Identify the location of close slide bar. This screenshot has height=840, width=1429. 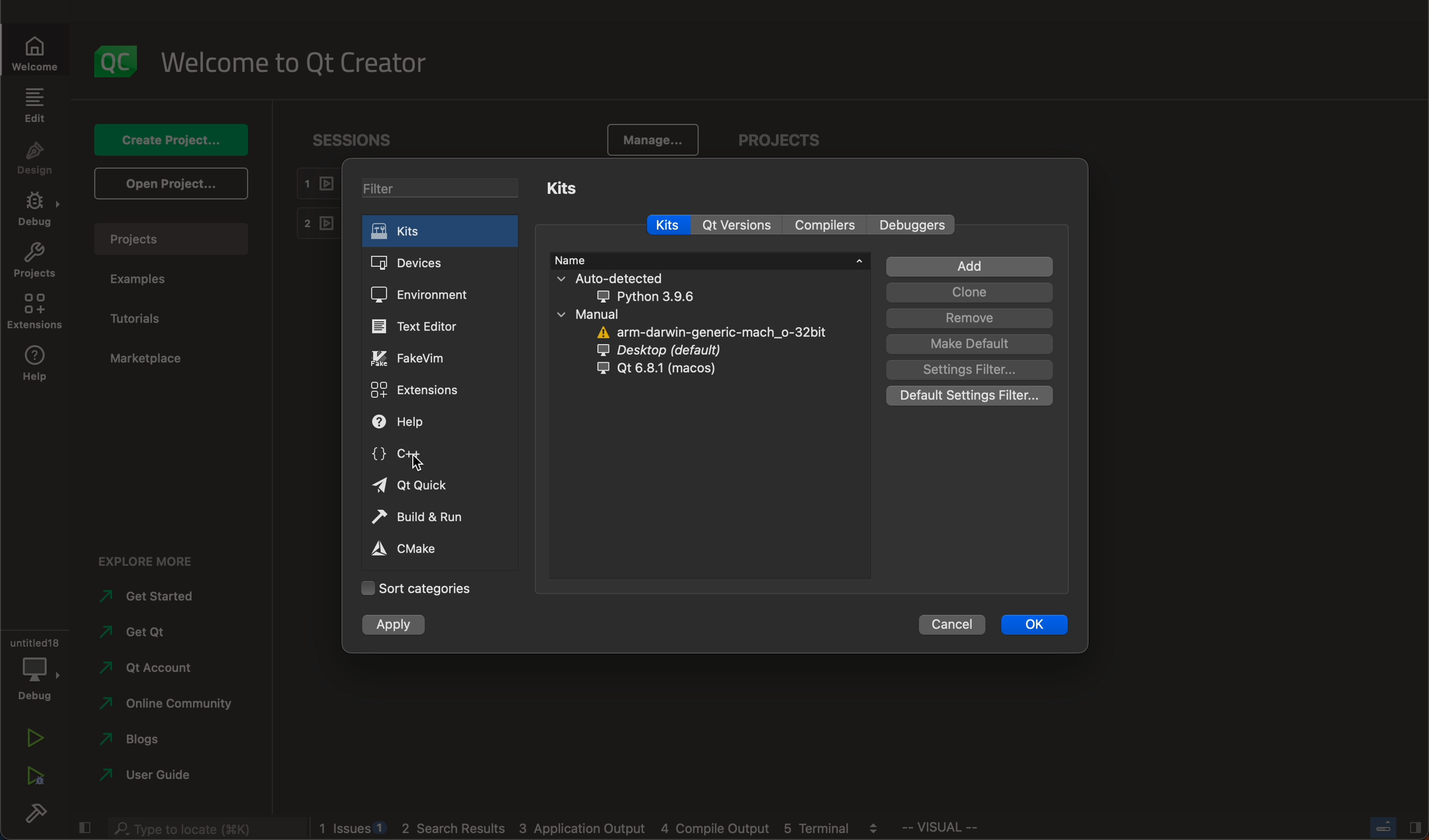
(1394, 827).